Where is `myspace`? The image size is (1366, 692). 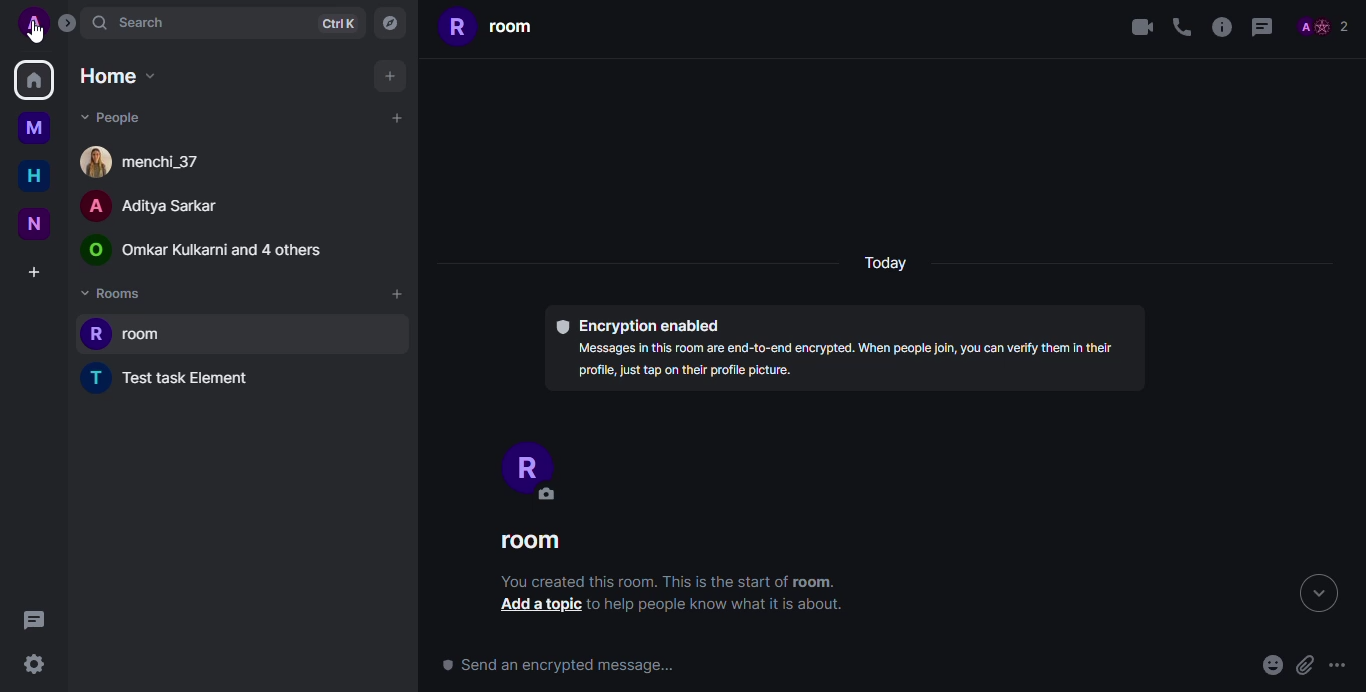 myspace is located at coordinates (34, 129).